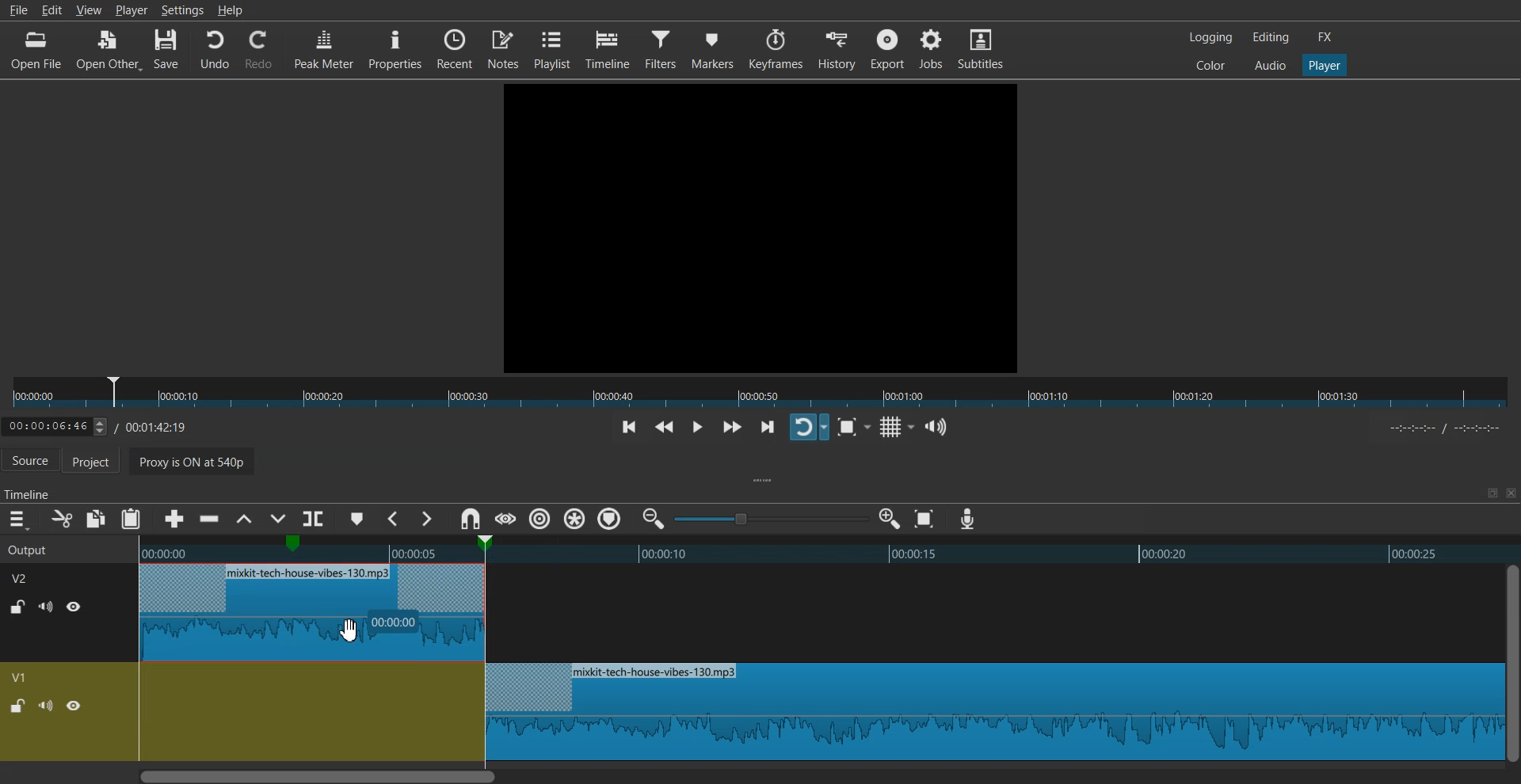 This screenshot has height=784, width=1521. What do you see at coordinates (575, 519) in the screenshot?
I see `Ripple all markers` at bounding box center [575, 519].